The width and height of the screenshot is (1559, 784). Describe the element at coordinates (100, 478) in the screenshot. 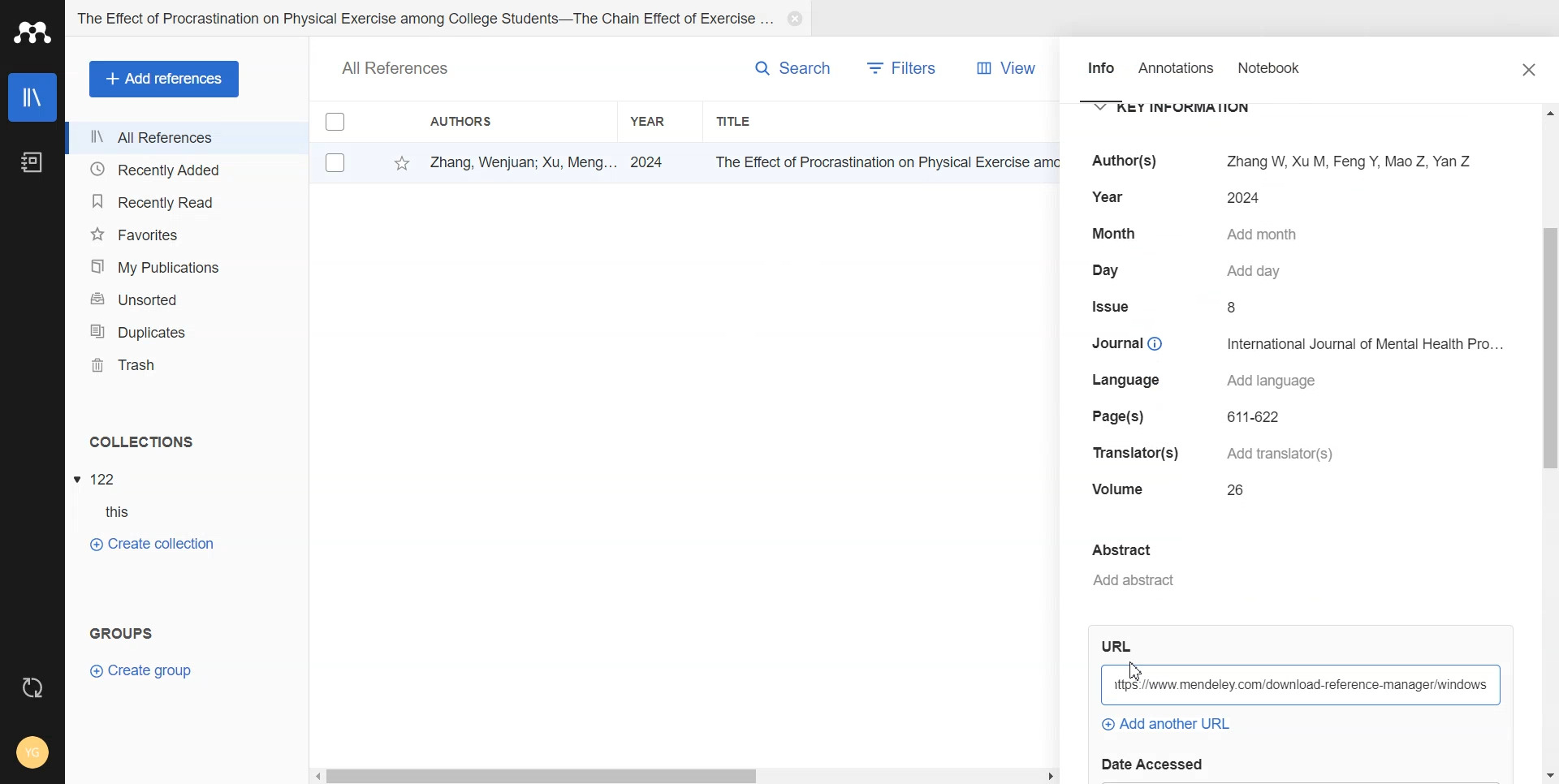

I see `File` at that location.